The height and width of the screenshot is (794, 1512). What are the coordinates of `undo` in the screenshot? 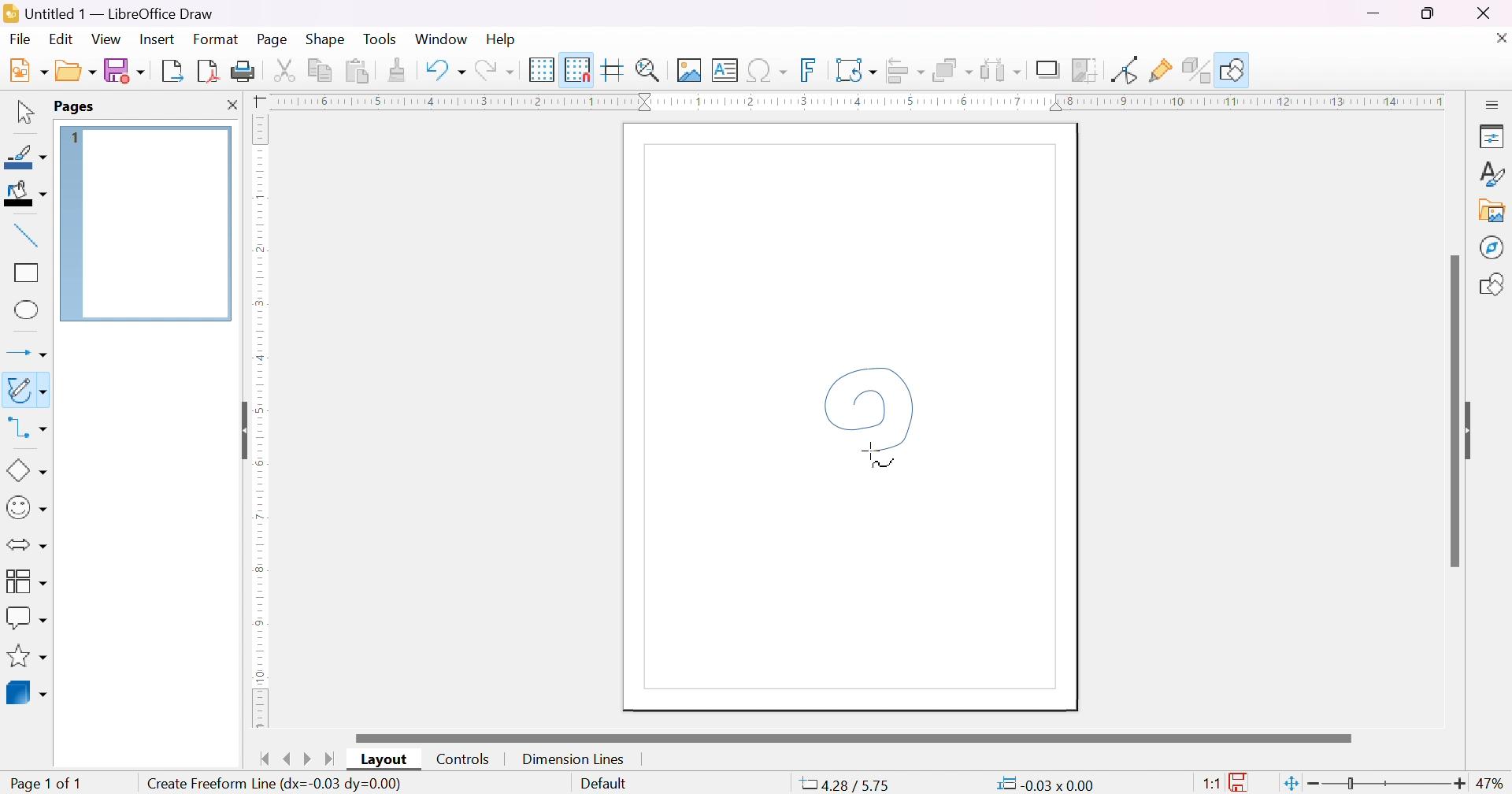 It's located at (445, 70).